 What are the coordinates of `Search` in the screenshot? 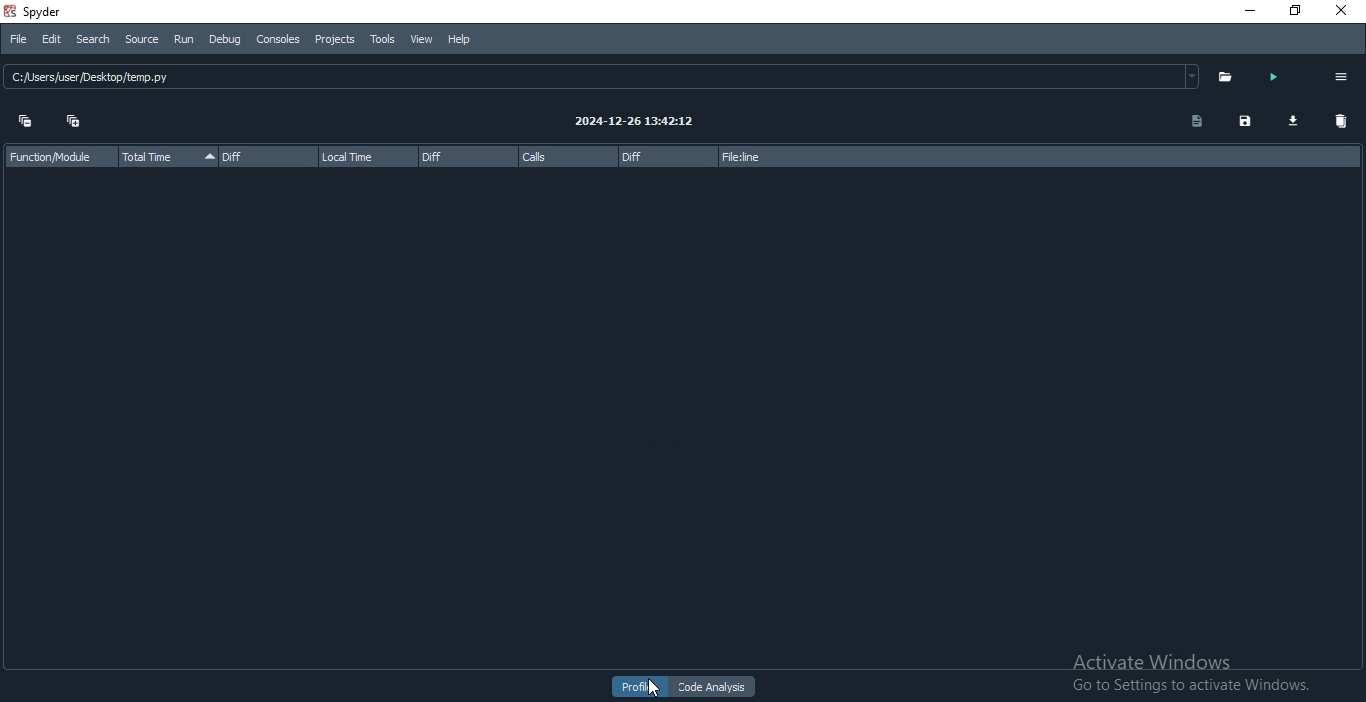 It's located at (91, 41).